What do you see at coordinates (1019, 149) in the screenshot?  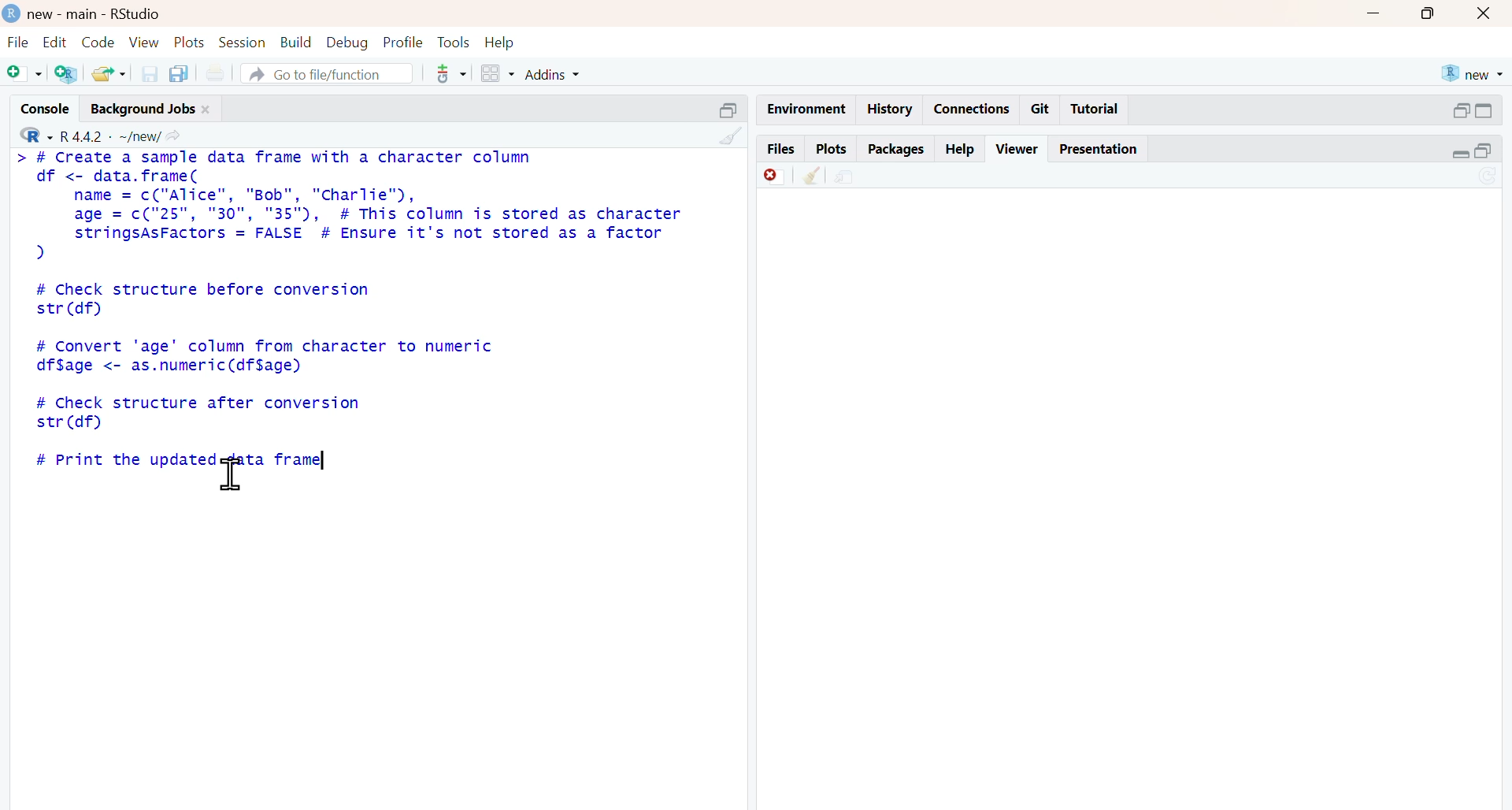 I see `viewer` at bounding box center [1019, 149].